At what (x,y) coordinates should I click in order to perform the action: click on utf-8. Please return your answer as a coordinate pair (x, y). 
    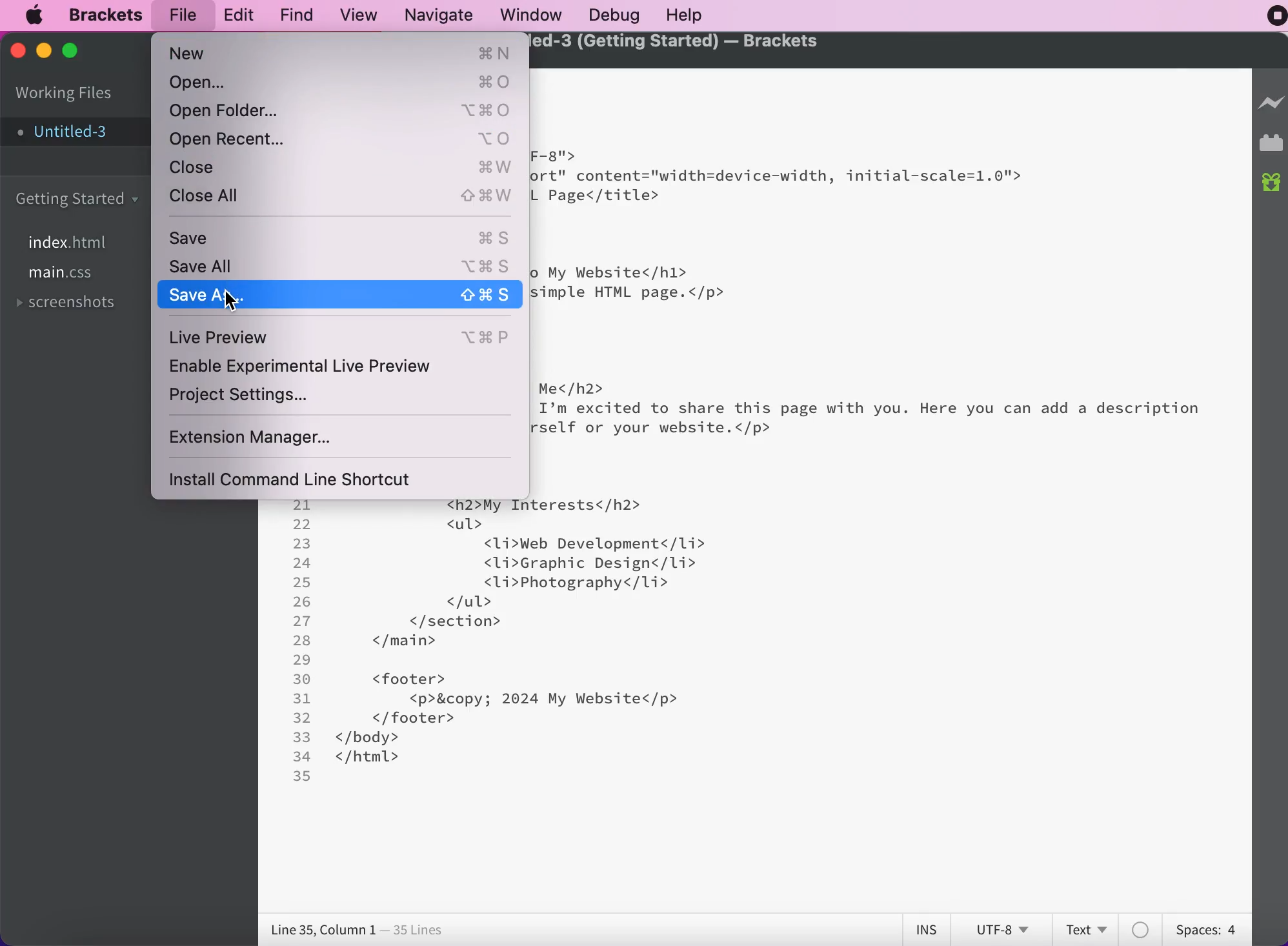
    Looking at the image, I should click on (1004, 928).